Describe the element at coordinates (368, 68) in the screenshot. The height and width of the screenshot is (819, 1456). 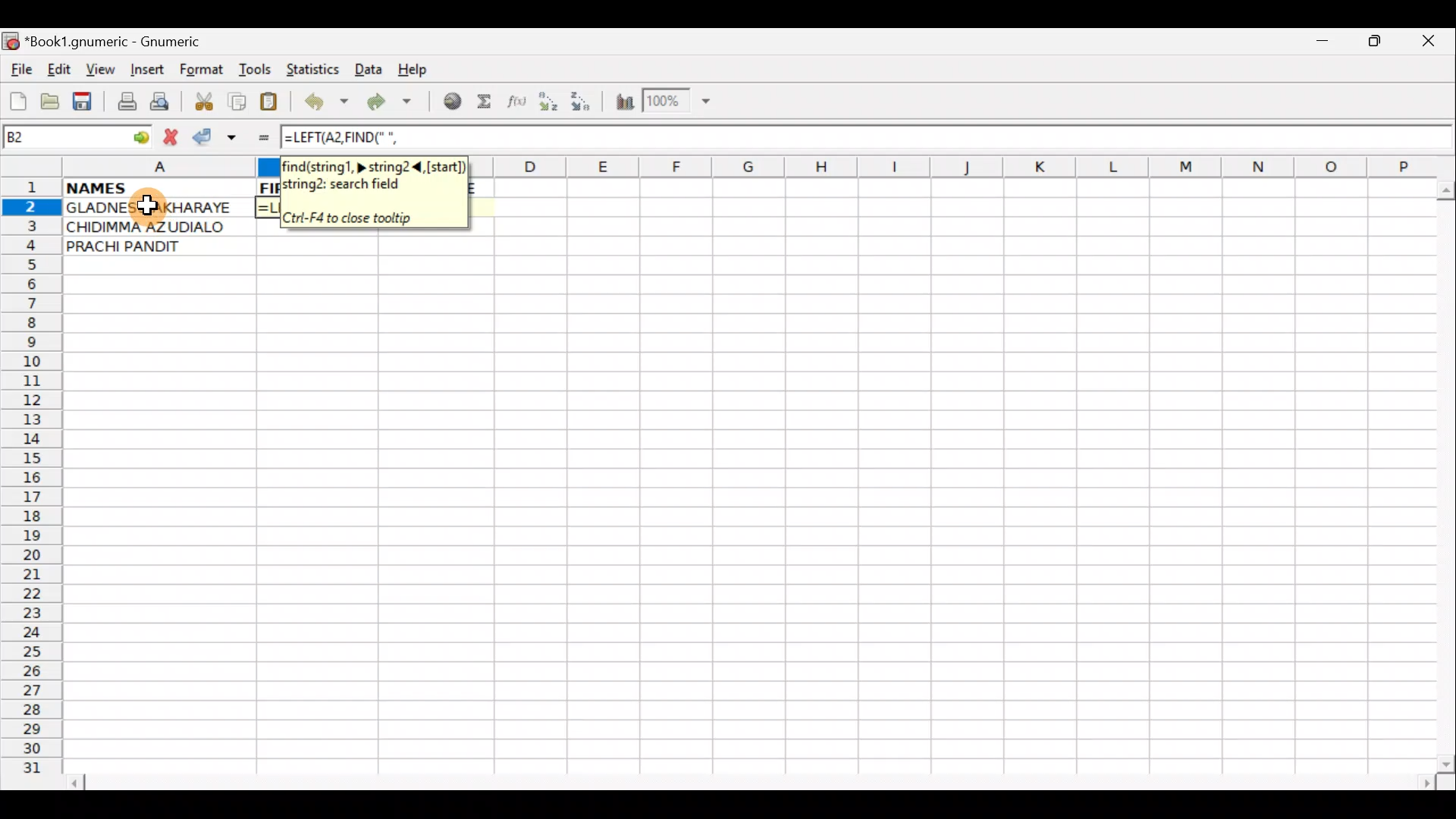
I see `Data` at that location.